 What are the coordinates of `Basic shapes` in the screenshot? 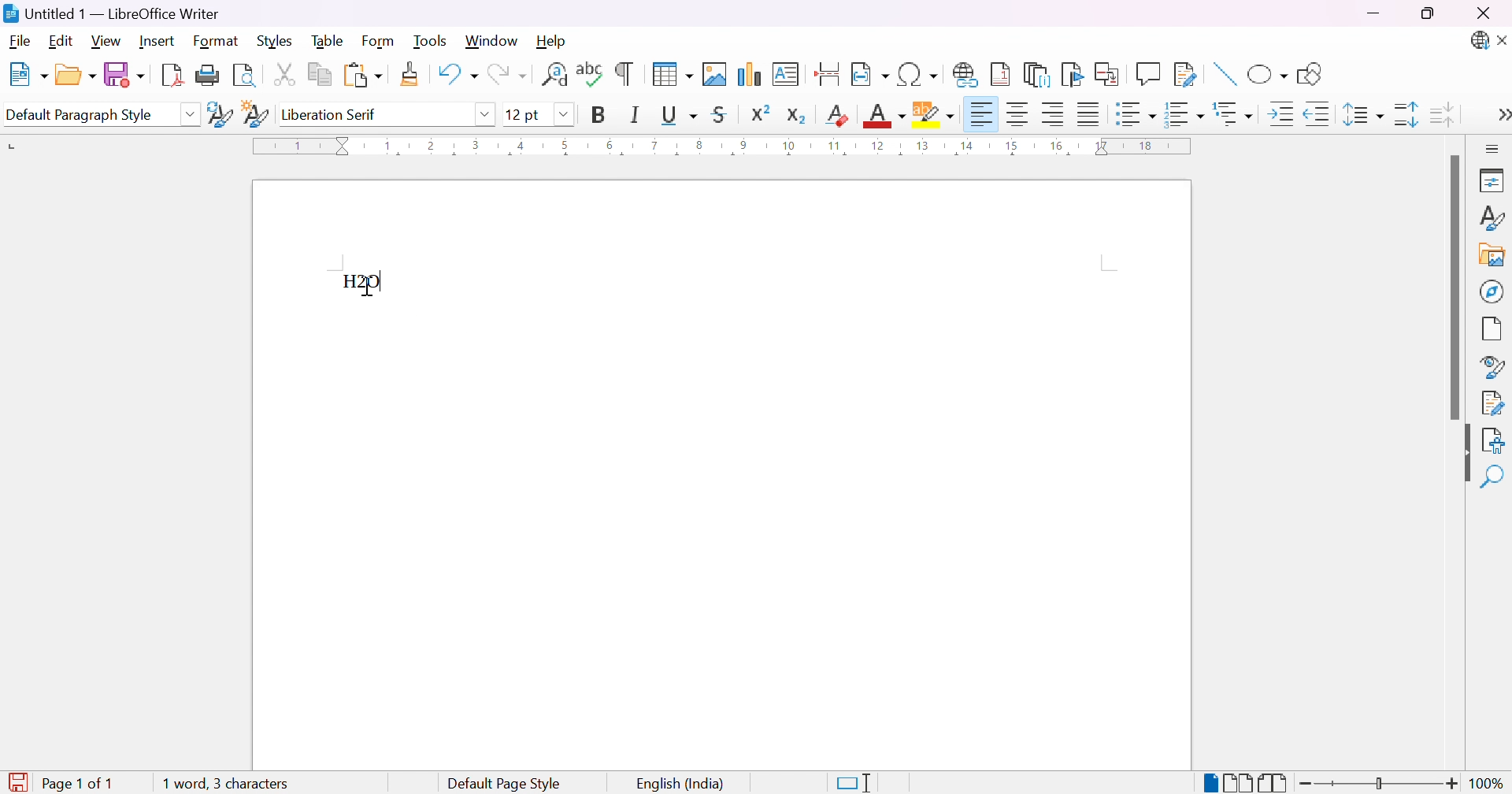 It's located at (1267, 77).